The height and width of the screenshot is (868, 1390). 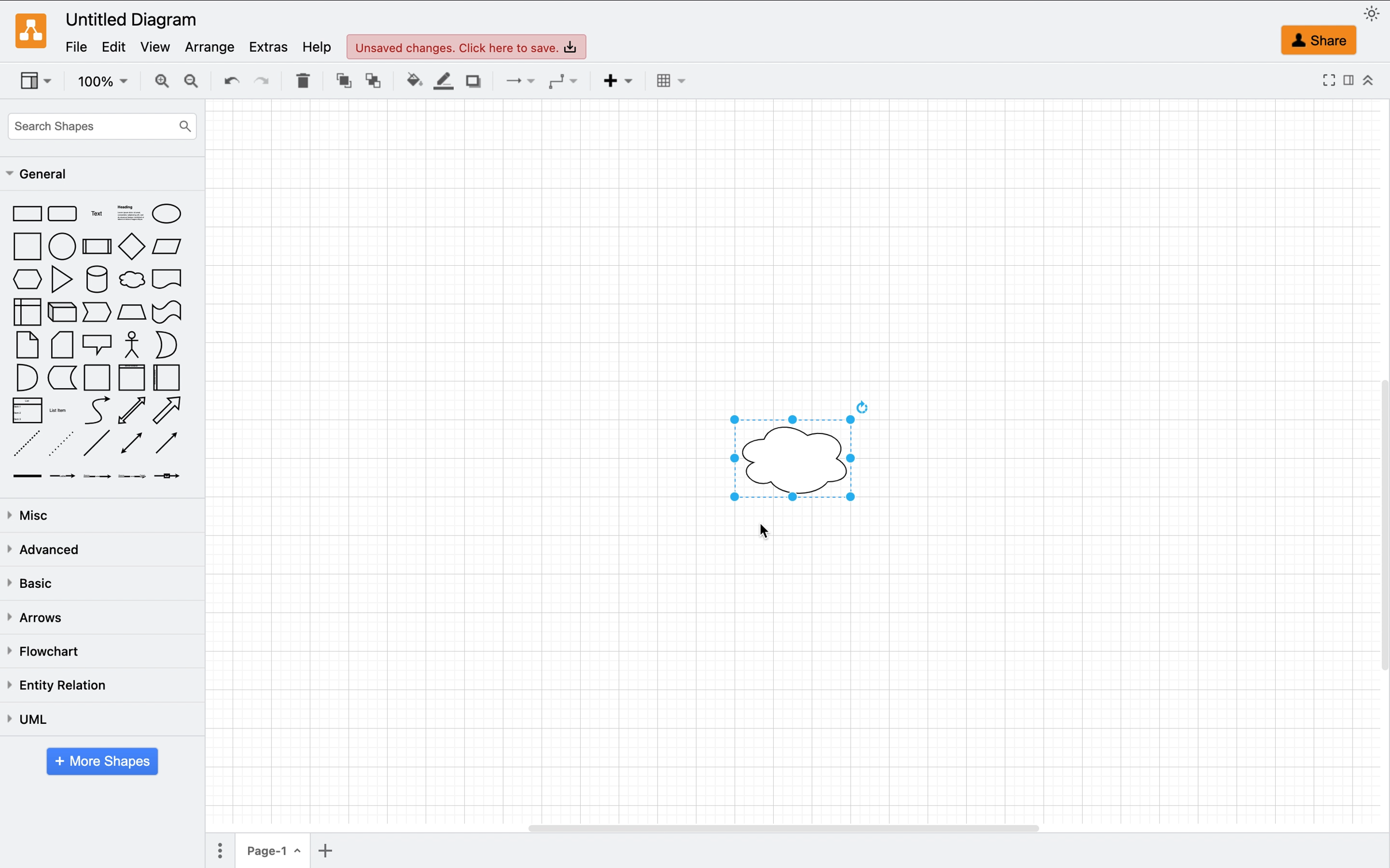 What do you see at coordinates (98, 761) in the screenshot?
I see `more shapes` at bounding box center [98, 761].